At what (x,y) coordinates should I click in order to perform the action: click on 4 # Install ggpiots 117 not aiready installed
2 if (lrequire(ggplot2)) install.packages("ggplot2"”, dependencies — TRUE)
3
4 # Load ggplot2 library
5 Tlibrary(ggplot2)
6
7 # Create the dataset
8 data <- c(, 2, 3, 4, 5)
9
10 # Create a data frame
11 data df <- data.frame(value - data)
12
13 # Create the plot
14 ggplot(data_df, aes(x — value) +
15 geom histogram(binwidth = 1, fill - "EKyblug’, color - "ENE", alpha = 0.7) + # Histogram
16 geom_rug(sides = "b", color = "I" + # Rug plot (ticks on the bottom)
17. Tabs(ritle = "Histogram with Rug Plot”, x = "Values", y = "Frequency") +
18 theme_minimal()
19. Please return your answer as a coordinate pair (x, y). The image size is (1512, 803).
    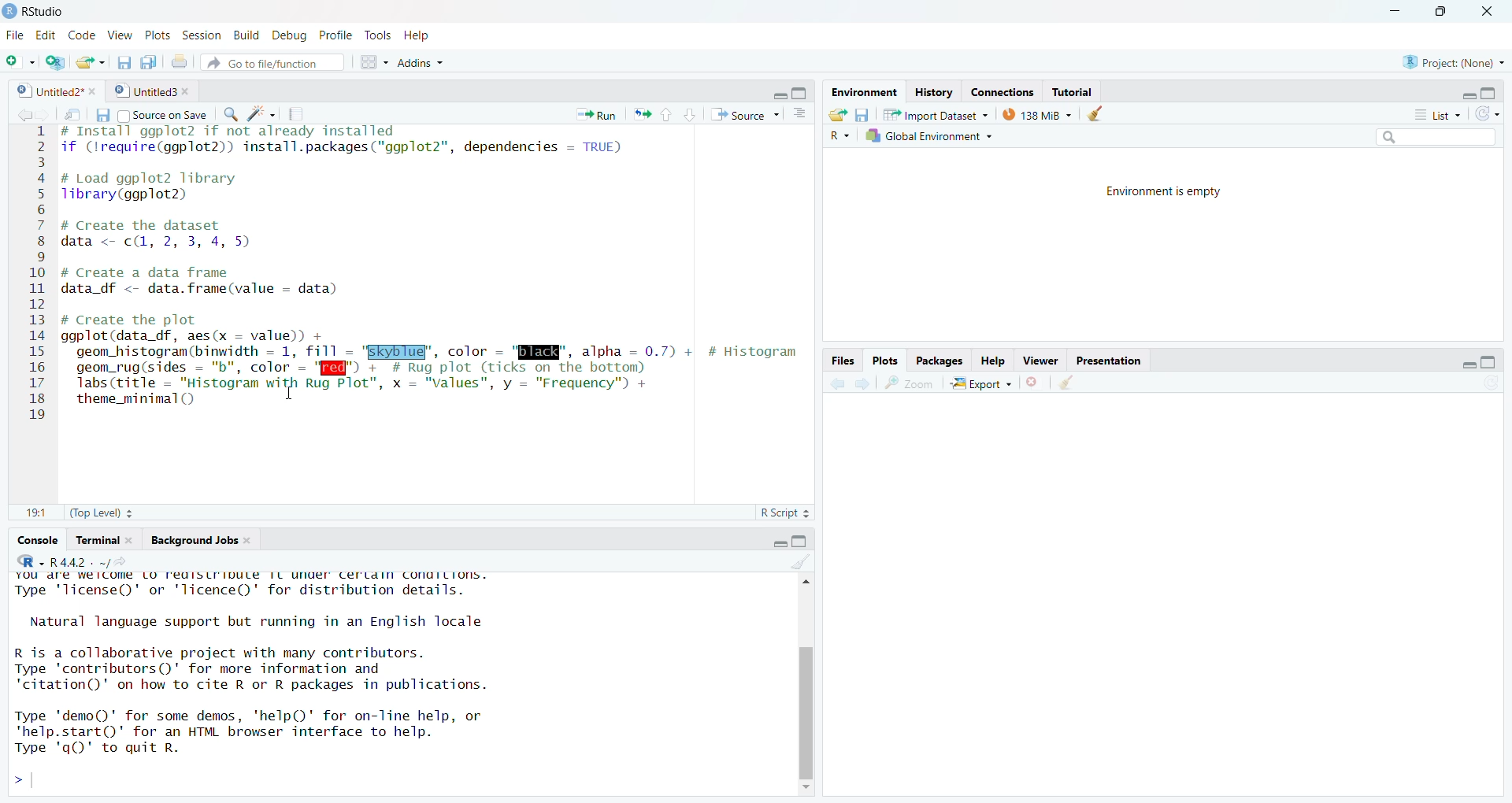
    Looking at the image, I should click on (392, 284).